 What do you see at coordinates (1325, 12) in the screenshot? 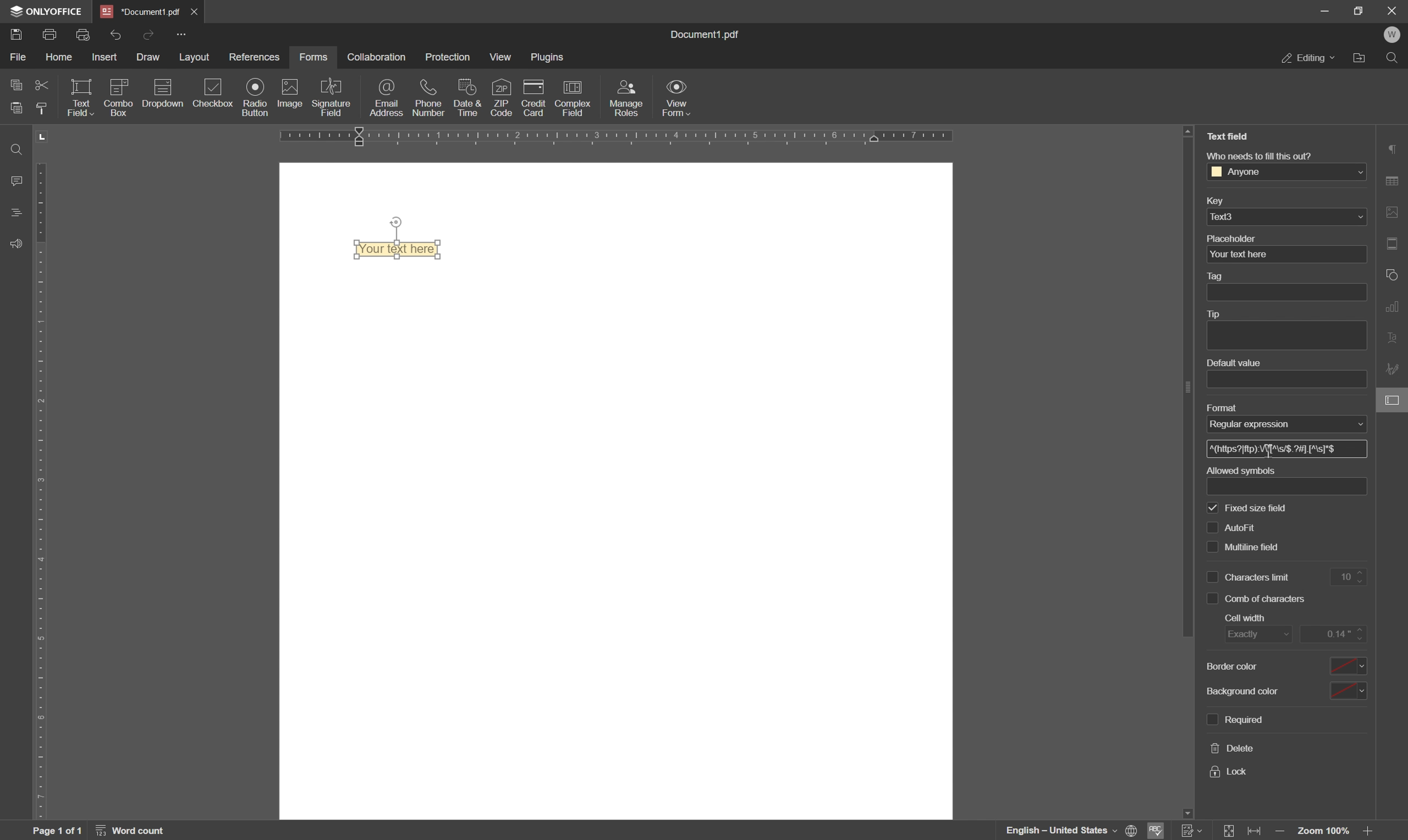
I see `minimize` at bounding box center [1325, 12].